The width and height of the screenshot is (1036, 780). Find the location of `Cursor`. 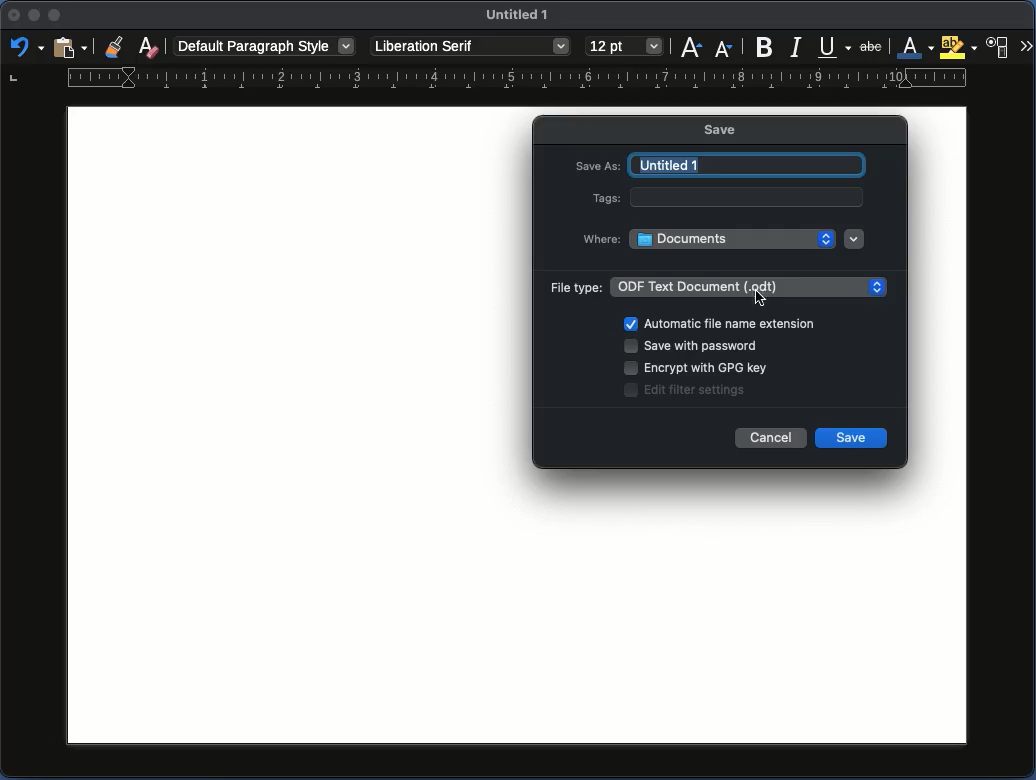

Cursor is located at coordinates (763, 304).